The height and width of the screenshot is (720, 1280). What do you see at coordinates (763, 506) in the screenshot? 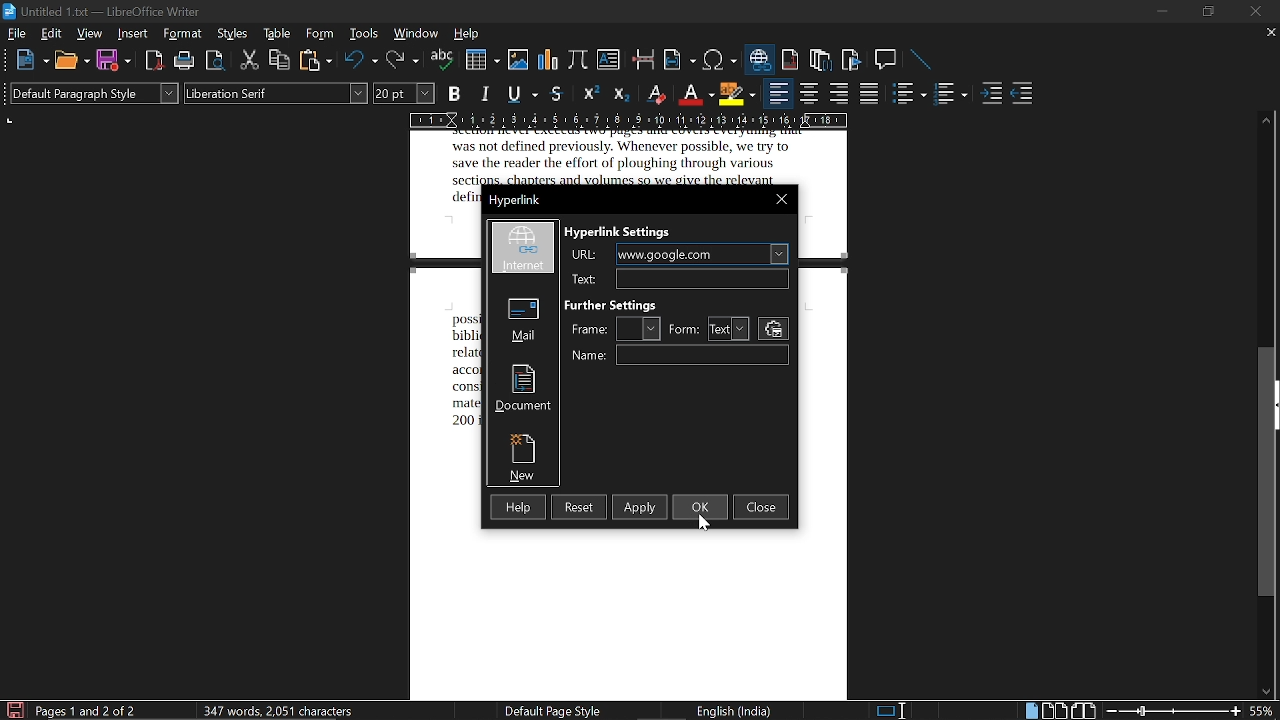
I see `close` at bounding box center [763, 506].